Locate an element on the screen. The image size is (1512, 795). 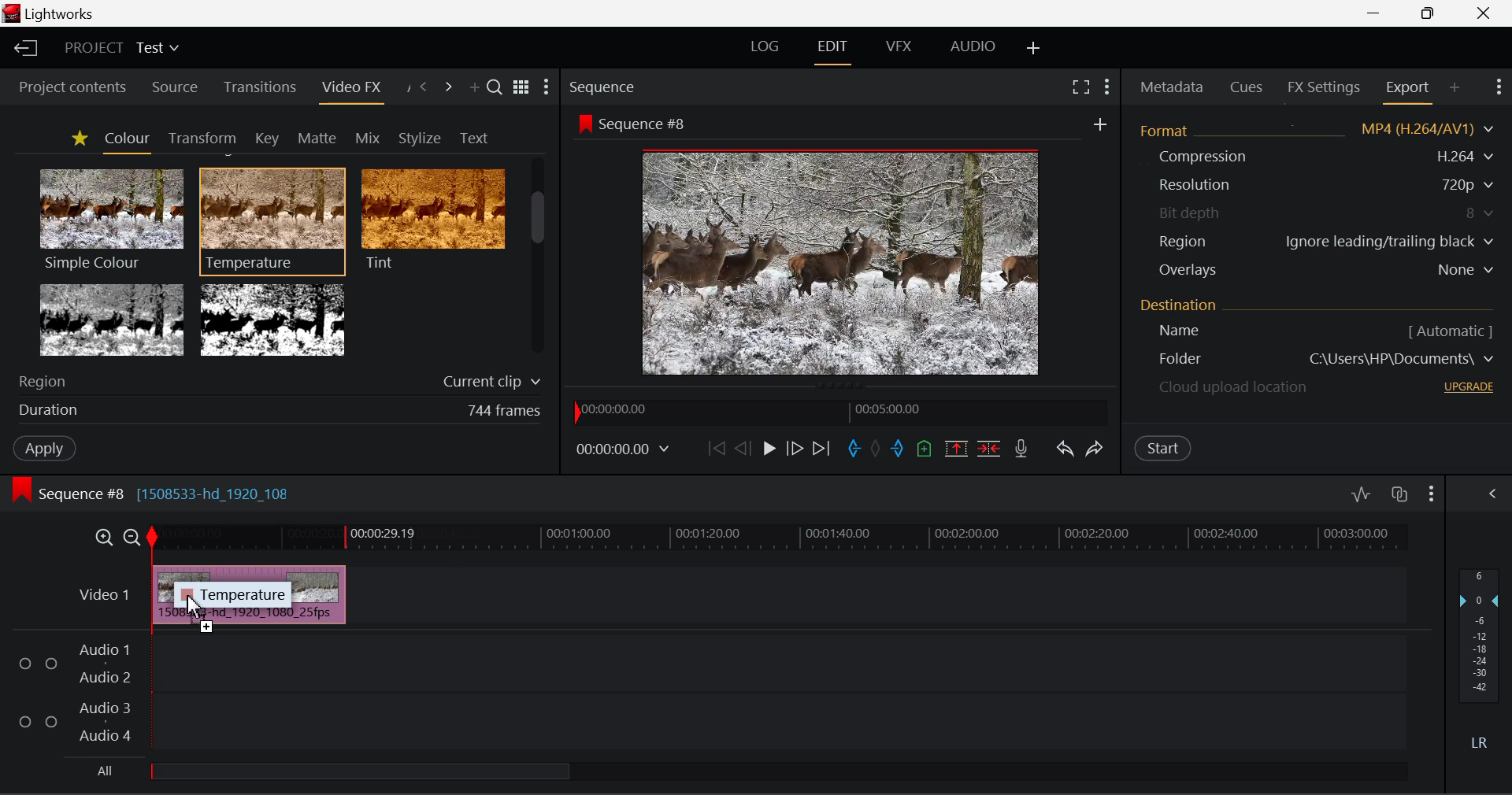
Sequence #8 [1508533-hd_1920_108 is located at coordinates (169, 490).